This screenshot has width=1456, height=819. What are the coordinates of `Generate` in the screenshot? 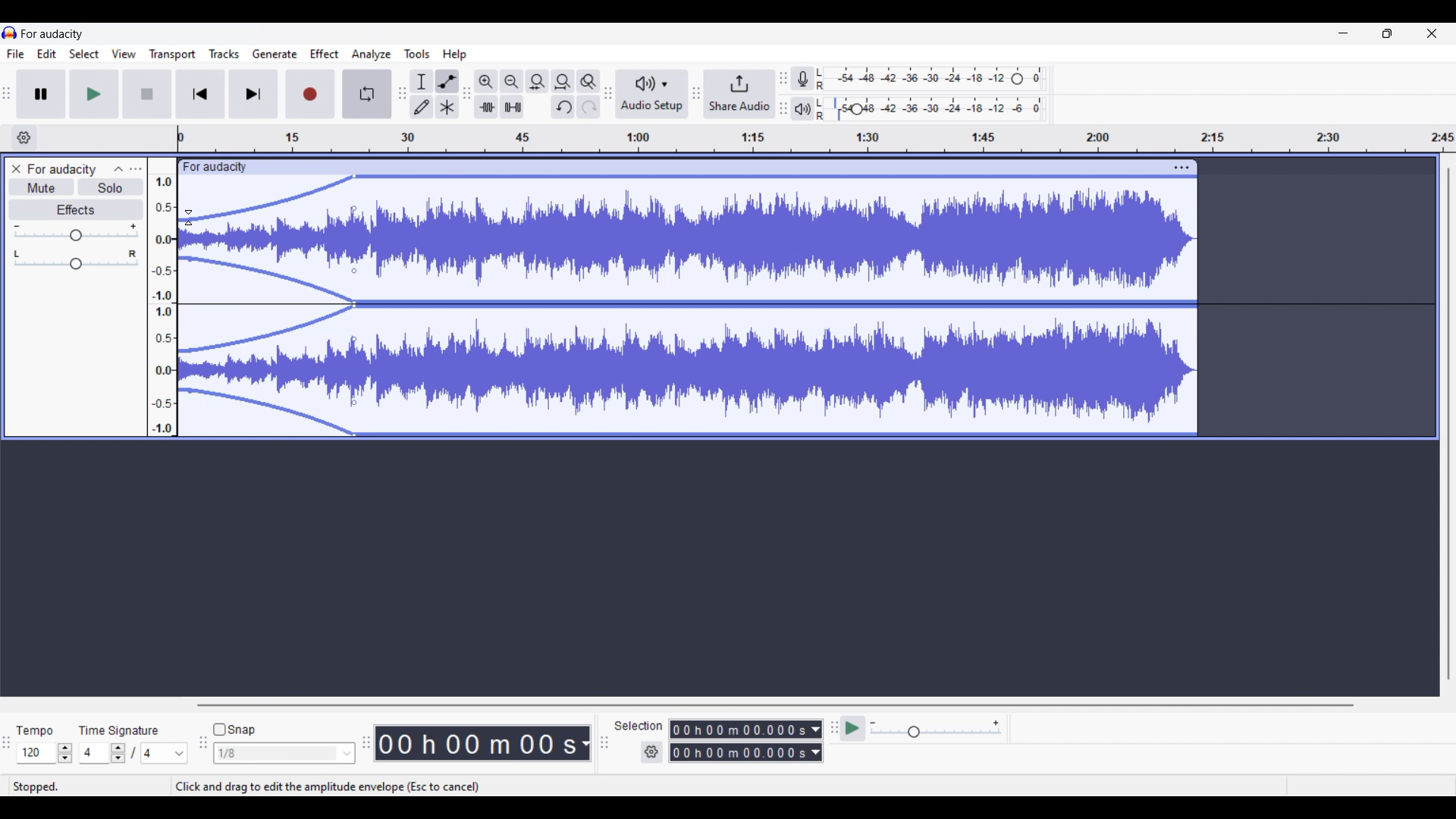 It's located at (275, 54).